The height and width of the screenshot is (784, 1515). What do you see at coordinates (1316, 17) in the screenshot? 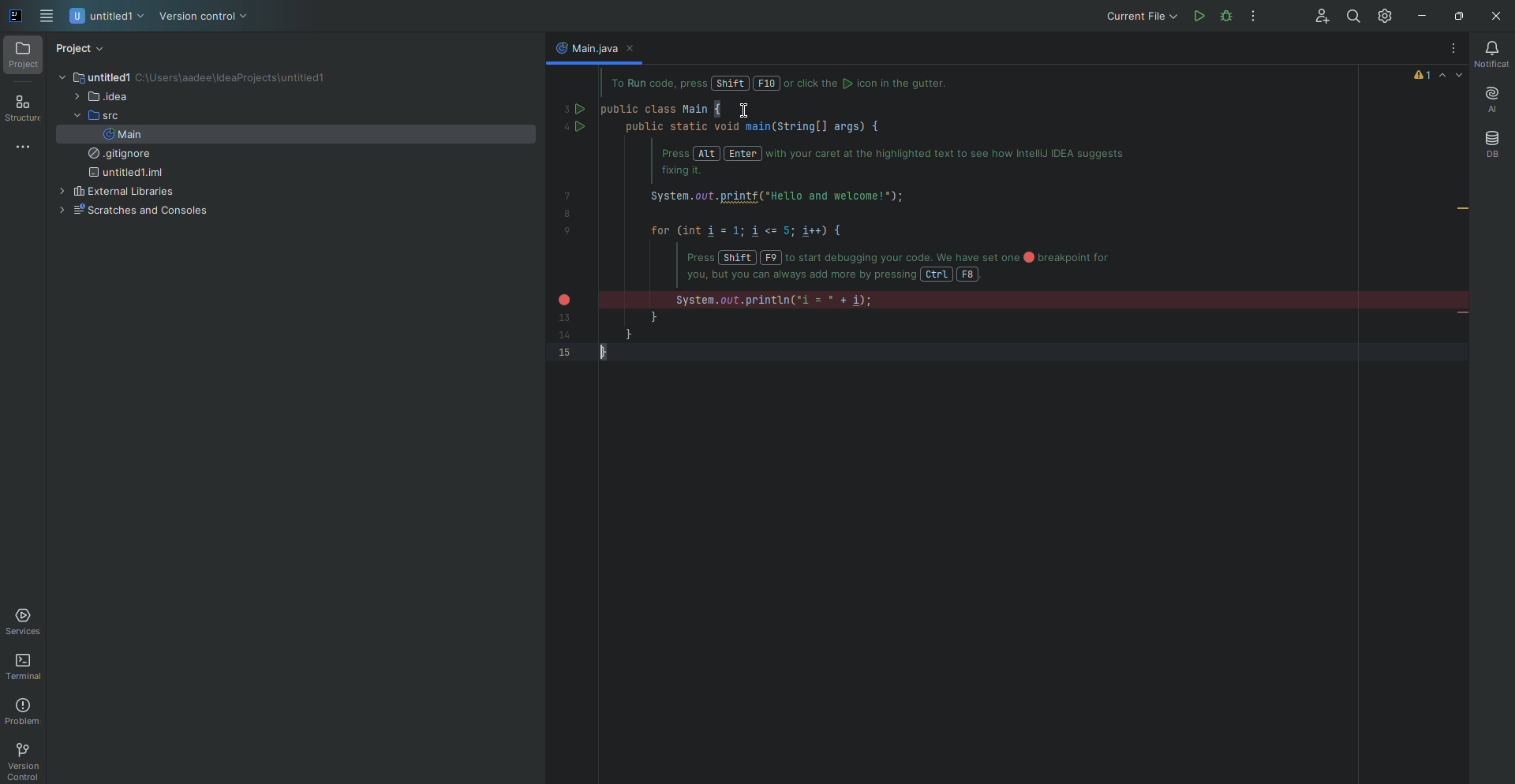
I see `Code With Me` at bounding box center [1316, 17].